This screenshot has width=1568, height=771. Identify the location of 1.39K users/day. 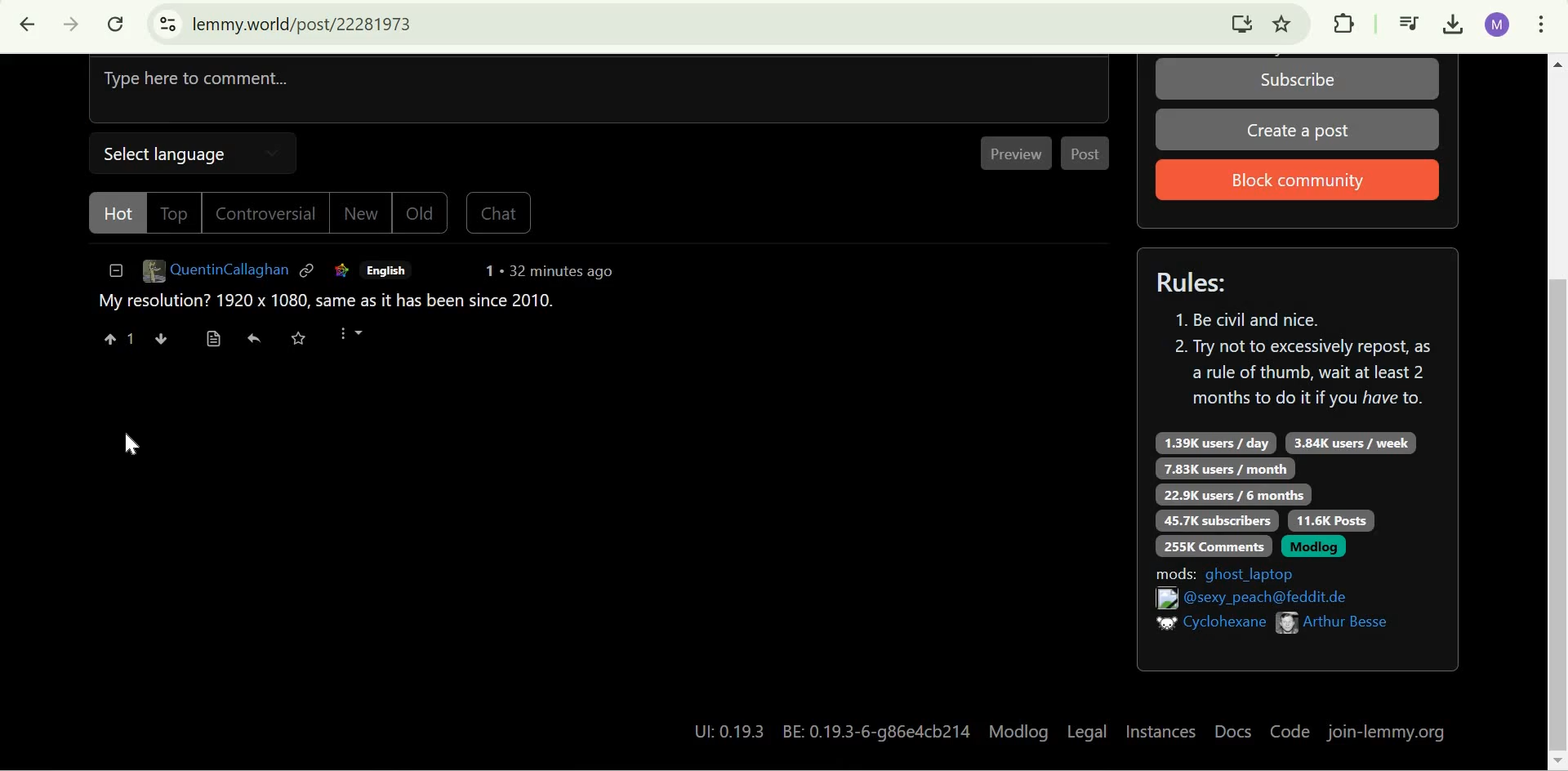
(1217, 442).